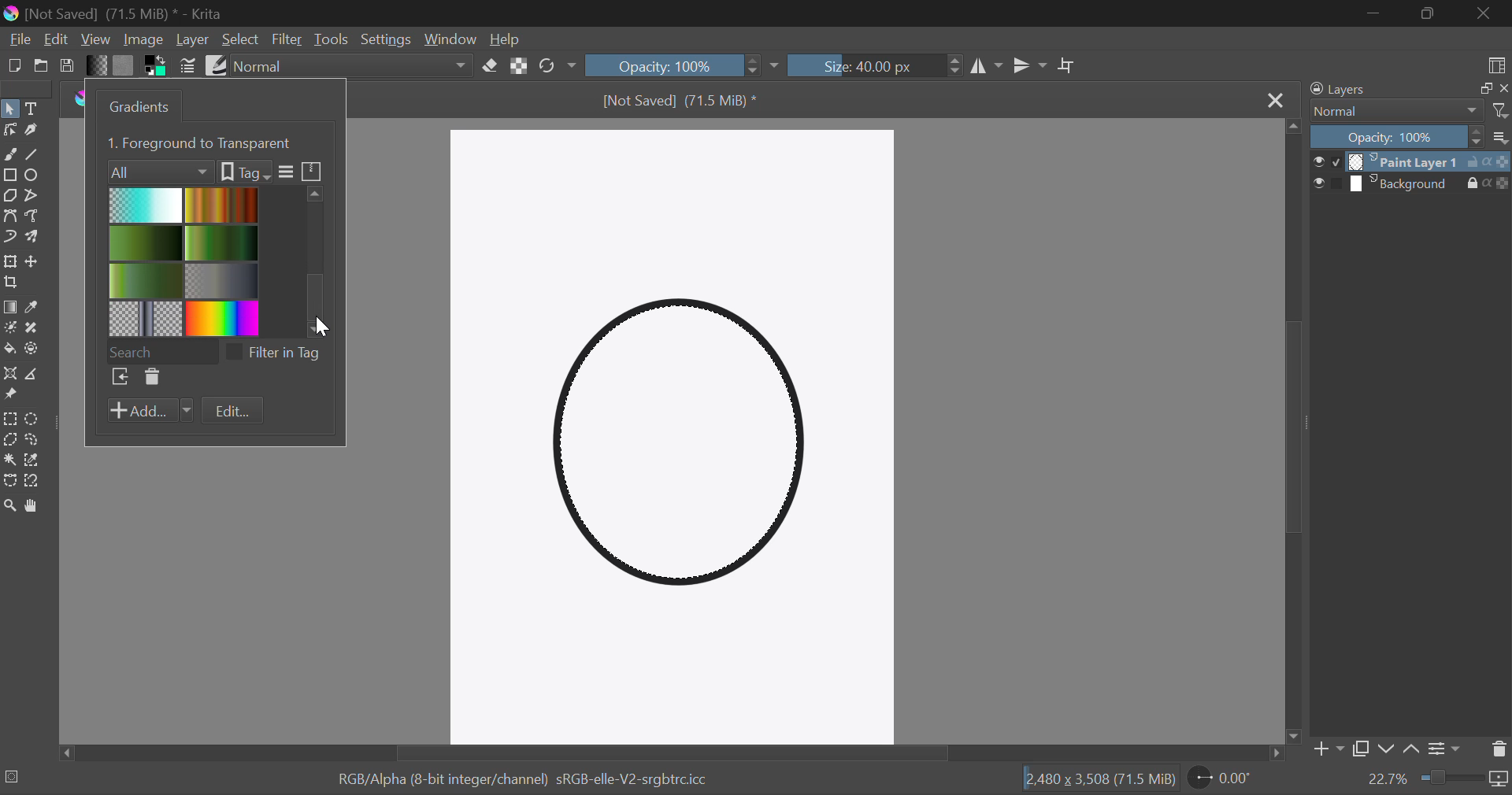 The width and height of the screenshot is (1512, 795). I want to click on close, so click(1504, 87).